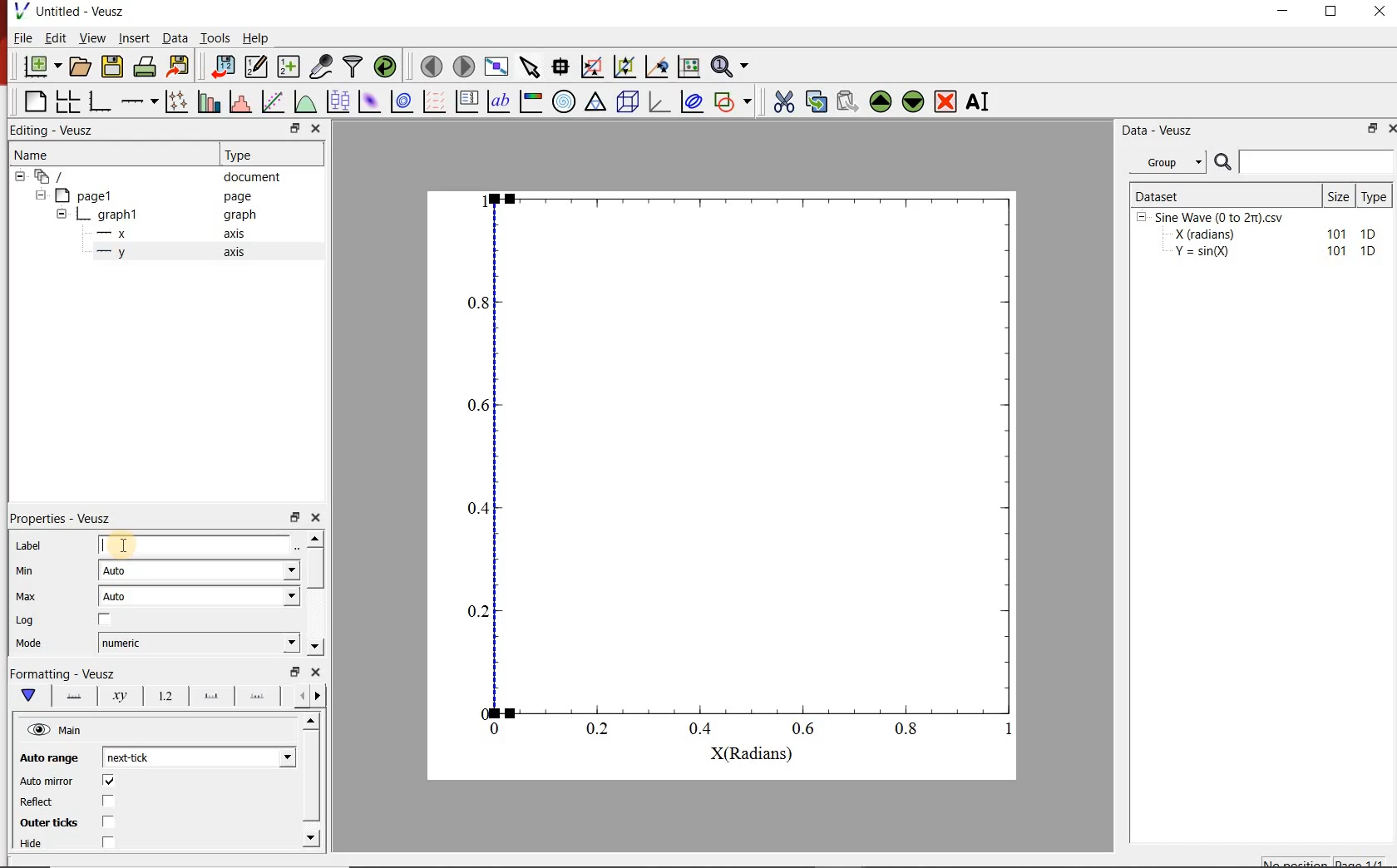  I want to click on scrollbar, so click(317, 570).